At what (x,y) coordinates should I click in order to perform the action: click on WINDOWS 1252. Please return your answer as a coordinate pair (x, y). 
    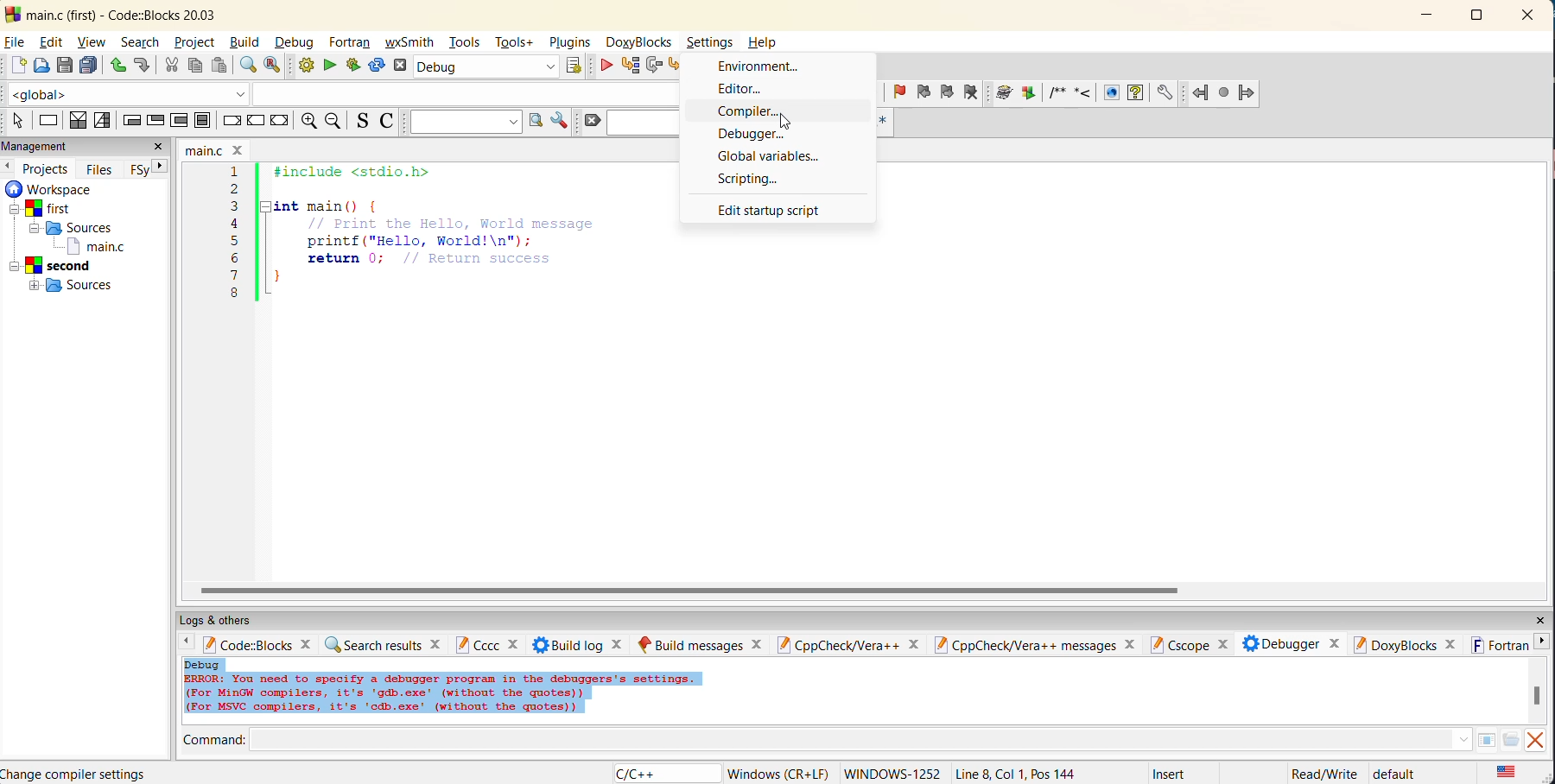
    Looking at the image, I should click on (890, 774).